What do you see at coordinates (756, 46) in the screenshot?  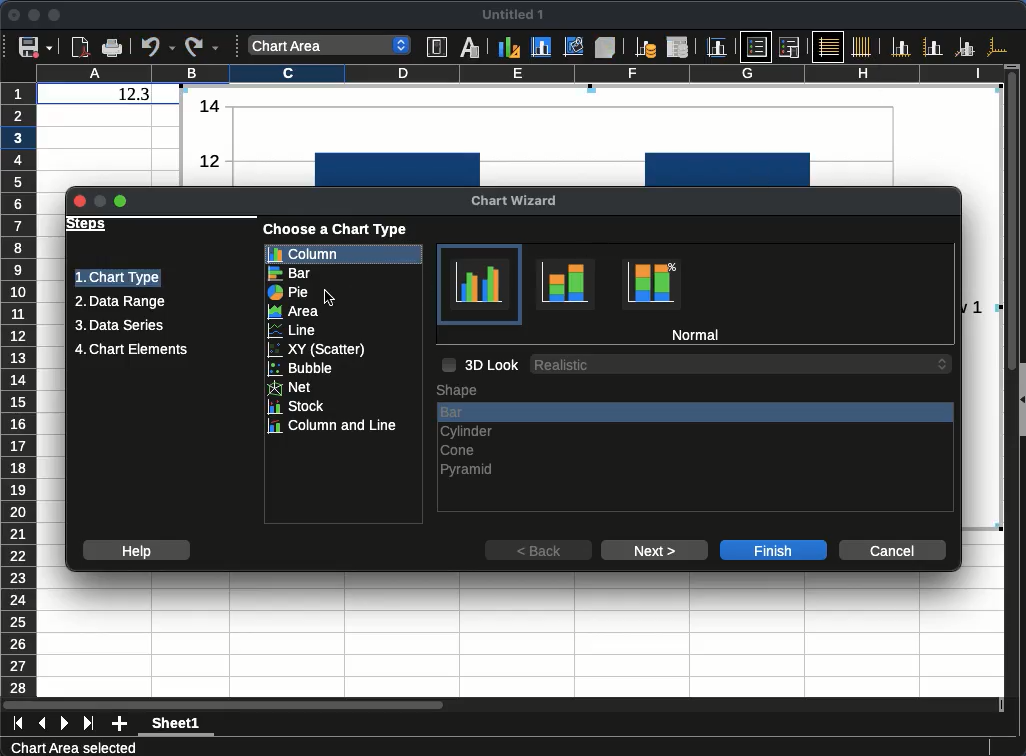 I see `Legend on/off, current selection` at bounding box center [756, 46].